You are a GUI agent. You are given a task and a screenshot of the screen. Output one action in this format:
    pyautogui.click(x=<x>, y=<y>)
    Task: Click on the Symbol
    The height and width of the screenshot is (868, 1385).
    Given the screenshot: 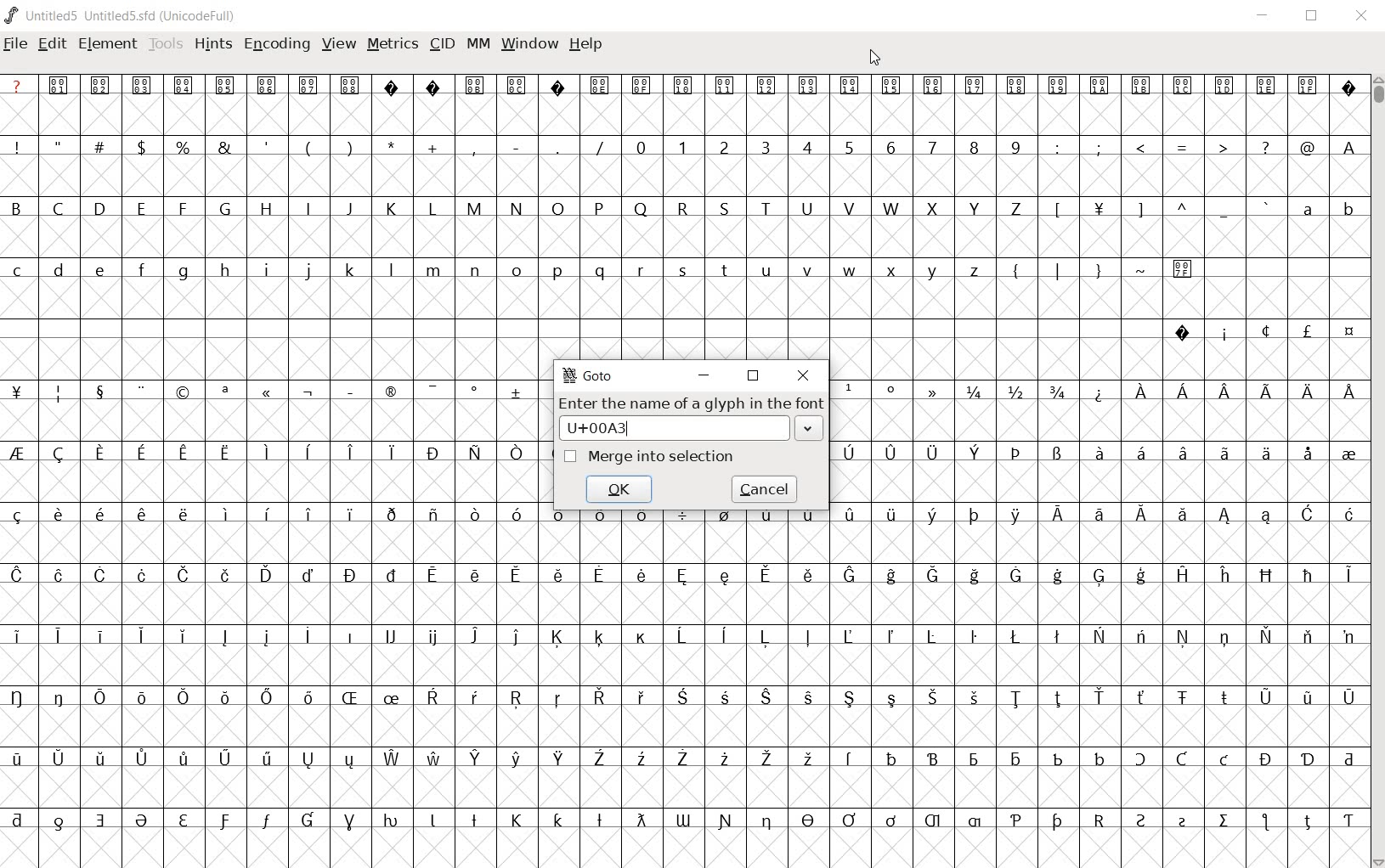 What is the action you would take?
    pyautogui.click(x=893, y=87)
    